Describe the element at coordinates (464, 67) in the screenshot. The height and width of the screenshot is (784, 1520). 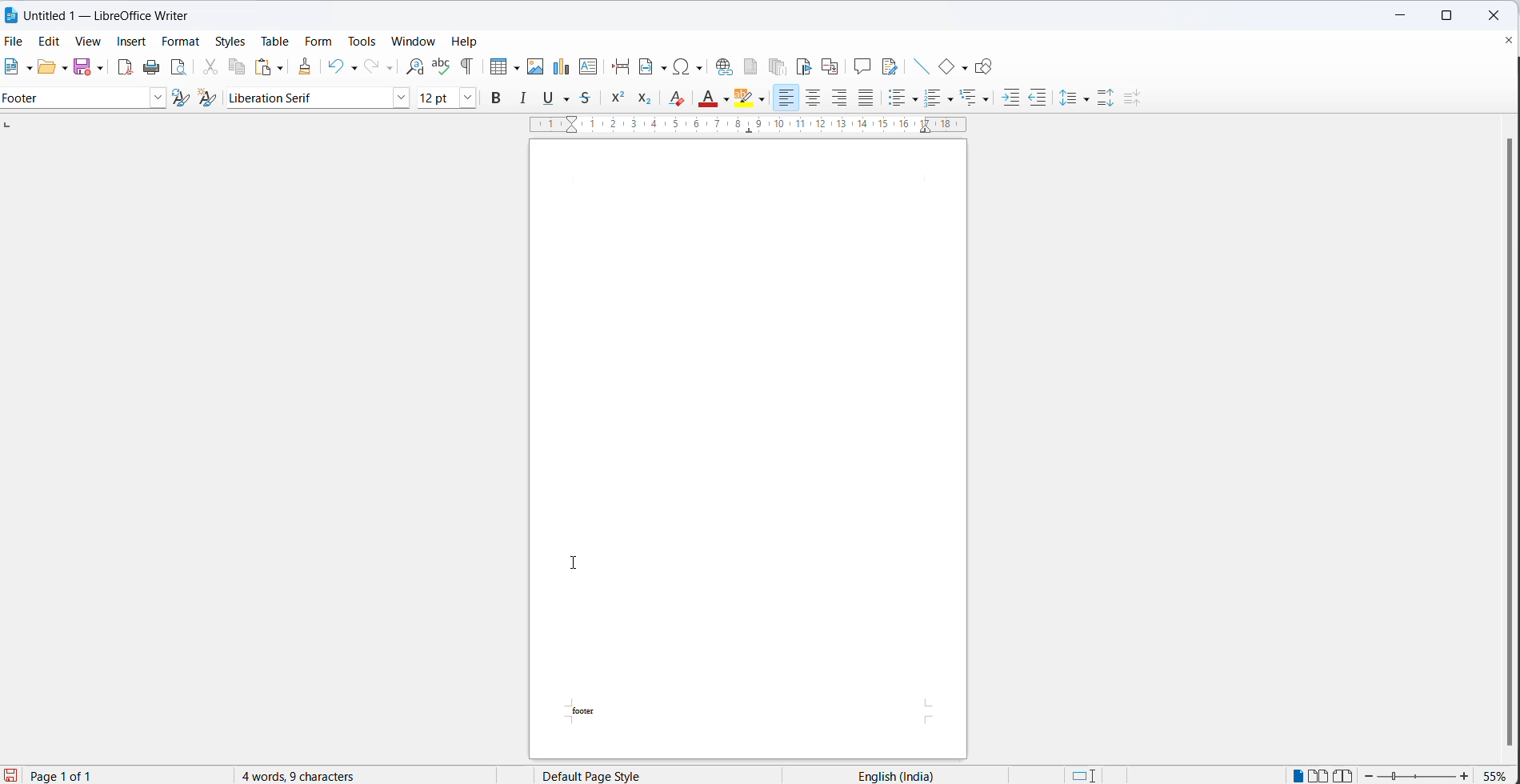
I see `toggle formatting marks` at that location.